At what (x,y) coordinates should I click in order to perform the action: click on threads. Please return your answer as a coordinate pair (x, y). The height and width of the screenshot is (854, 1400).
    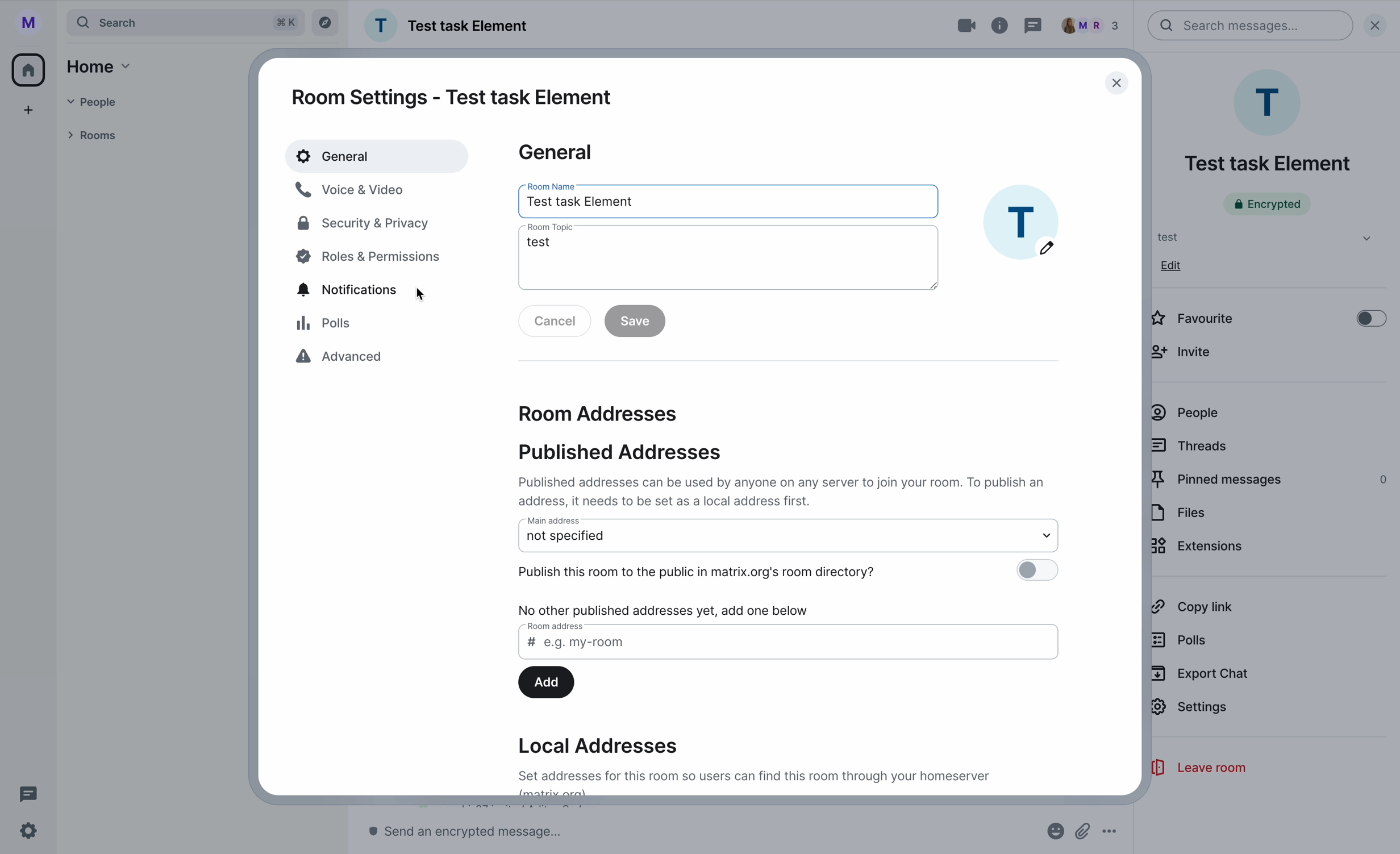
    Looking at the image, I should click on (25, 793).